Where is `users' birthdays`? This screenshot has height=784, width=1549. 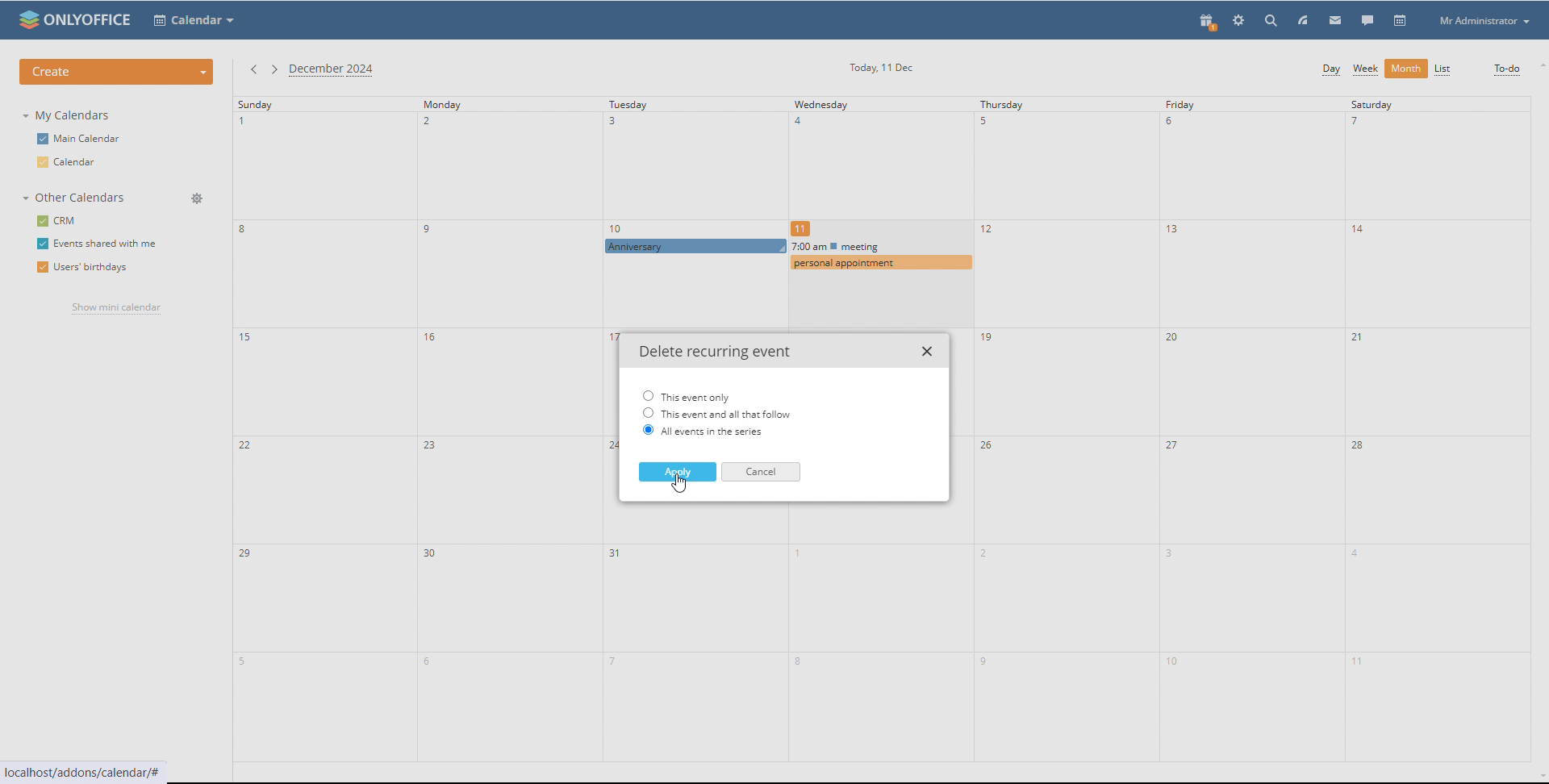 users' birthdays is located at coordinates (83, 269).